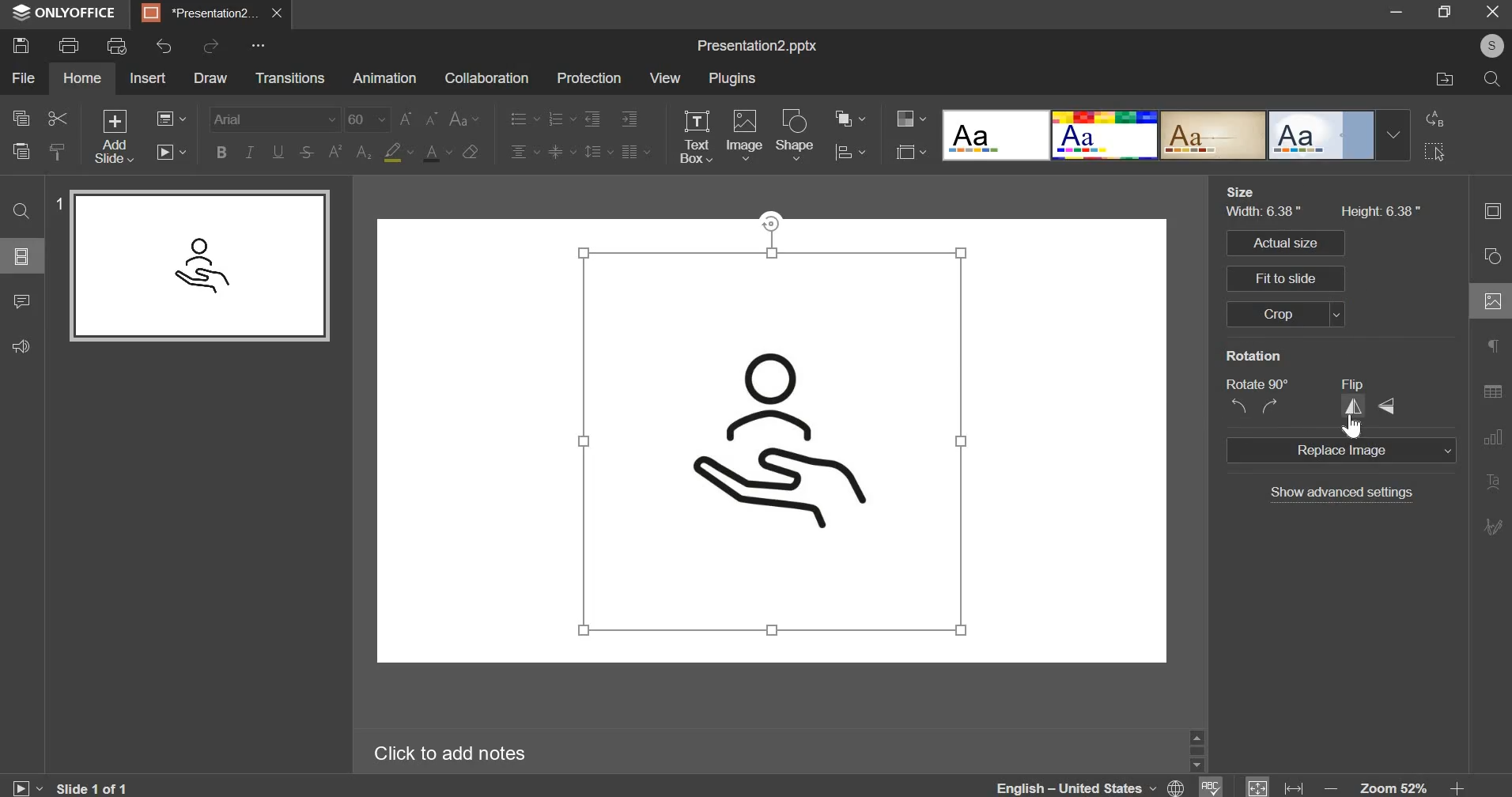 The width and height of the screenshot is (1512, 797). I want to click on comment, so click(21, 301).